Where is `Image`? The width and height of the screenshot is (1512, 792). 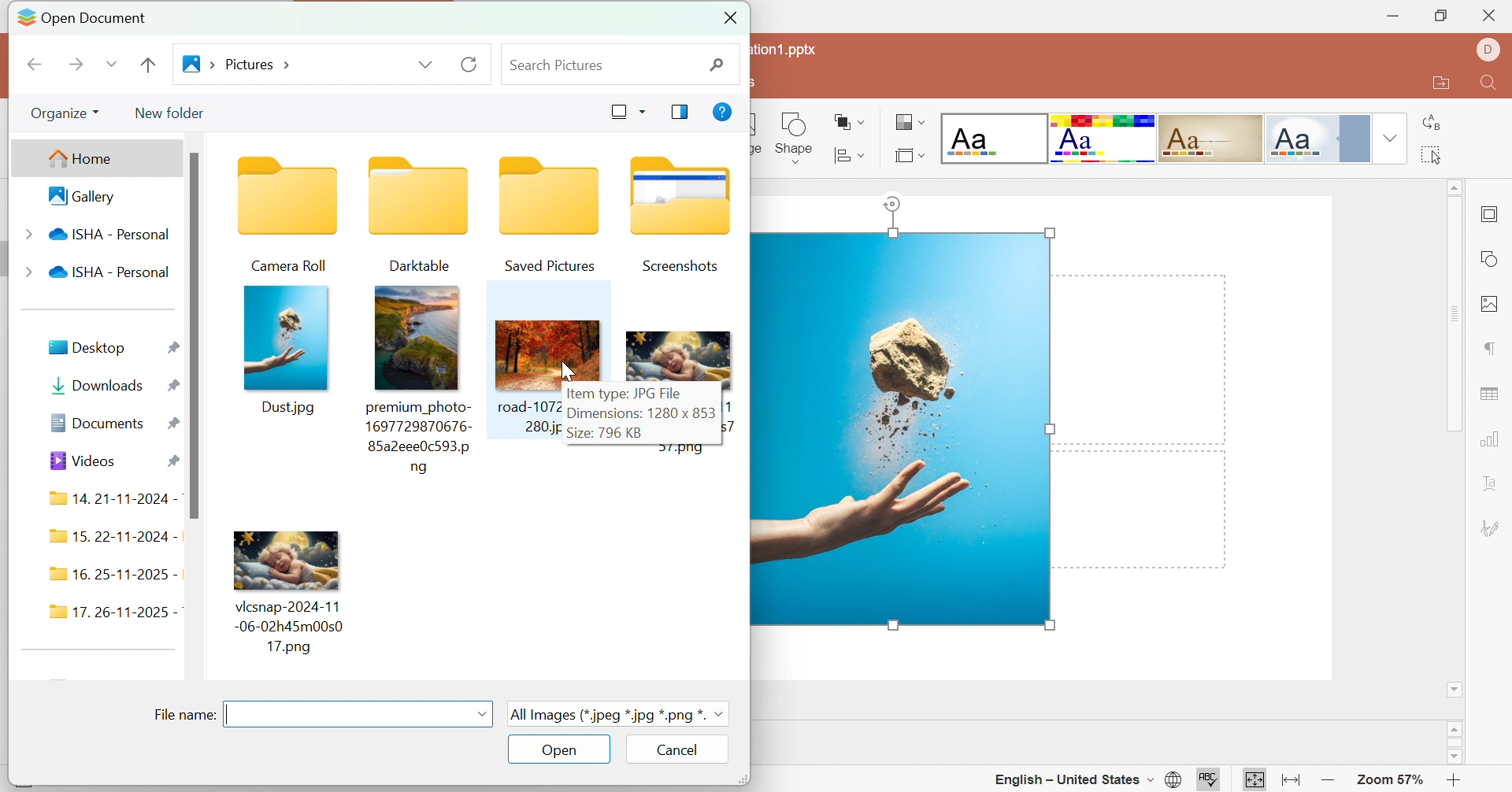
Image is located at coordinates (548, 329).